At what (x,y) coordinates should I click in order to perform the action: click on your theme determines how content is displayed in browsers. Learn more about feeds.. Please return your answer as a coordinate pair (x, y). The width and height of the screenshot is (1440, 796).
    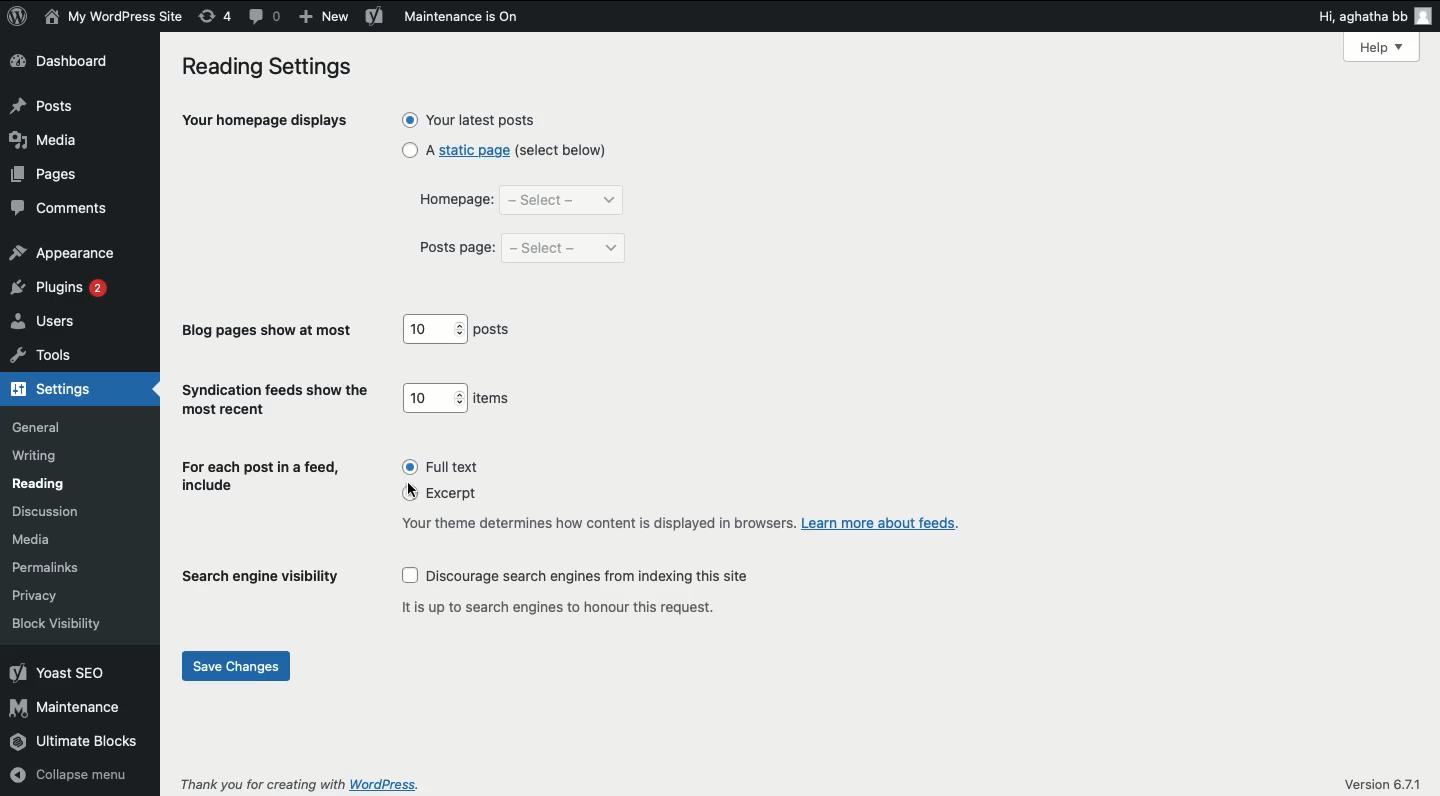
    Looking at the image, I should click on (680, 527).